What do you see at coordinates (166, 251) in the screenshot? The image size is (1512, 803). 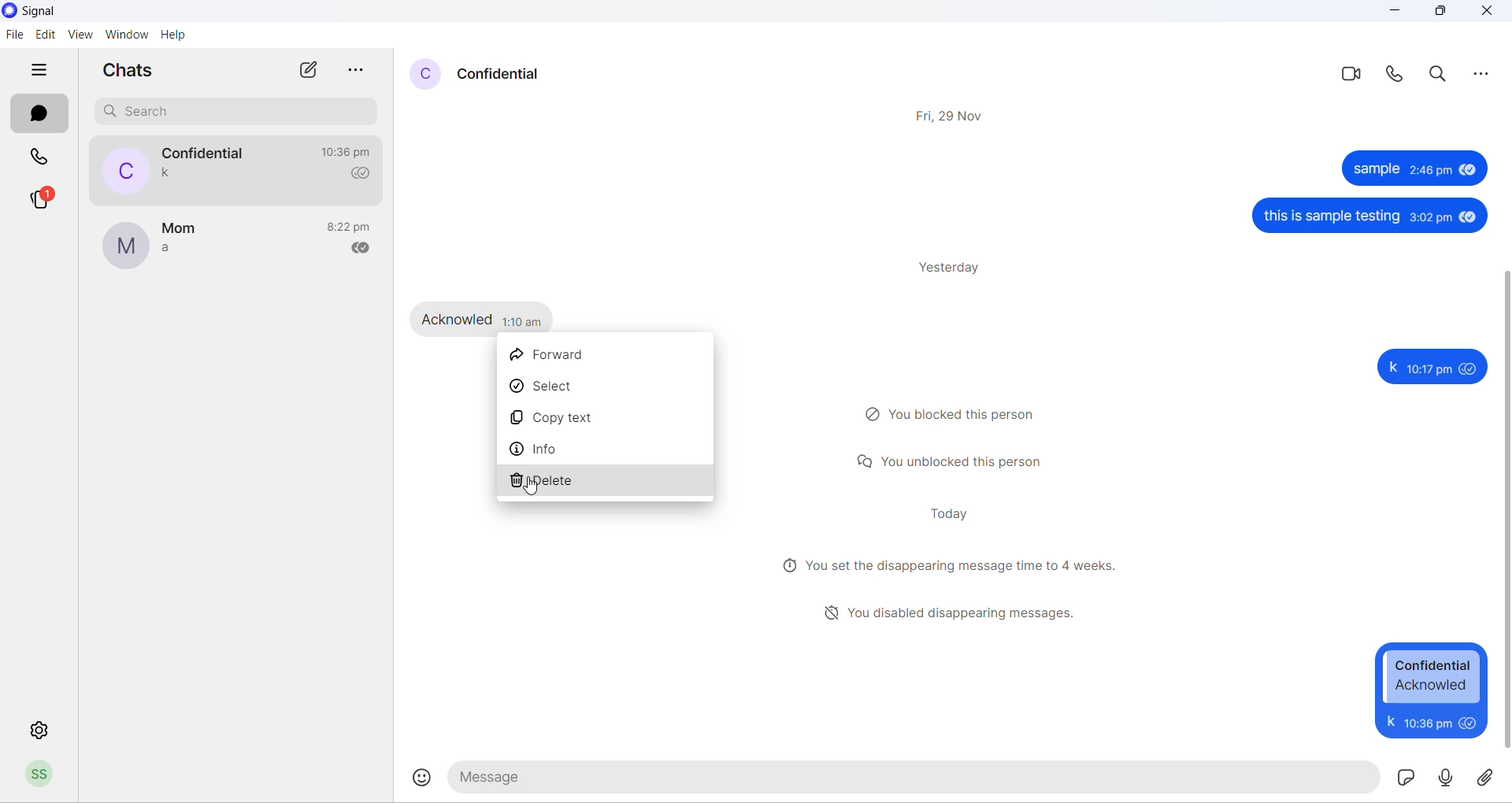 I see `last message` at bounding box center [166, 251].